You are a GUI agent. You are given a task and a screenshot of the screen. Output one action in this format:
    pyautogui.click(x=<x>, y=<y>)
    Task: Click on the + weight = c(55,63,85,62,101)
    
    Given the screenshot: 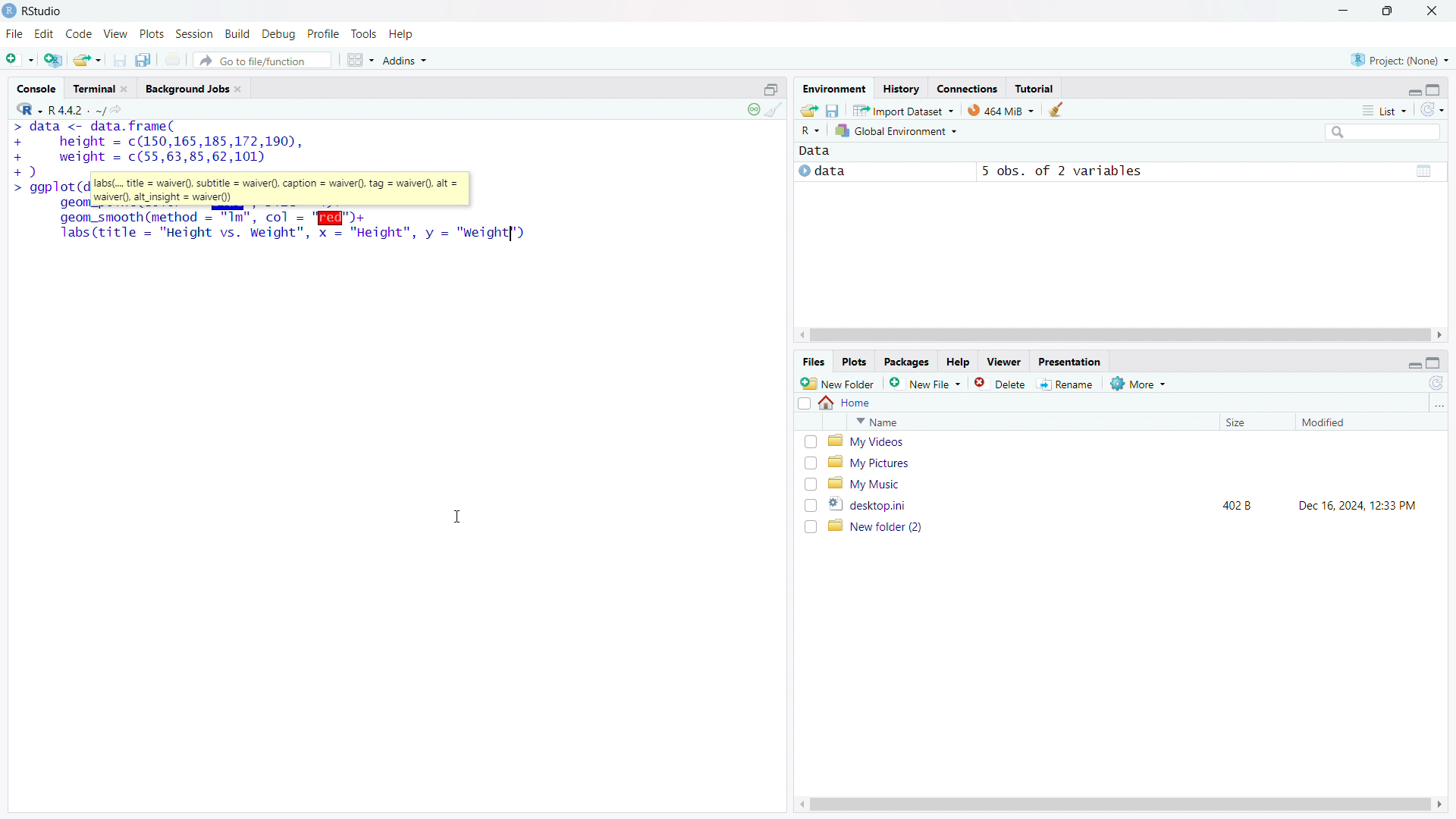 What is the action you would take?
    pyautogui.click(x=142, y=158)
    